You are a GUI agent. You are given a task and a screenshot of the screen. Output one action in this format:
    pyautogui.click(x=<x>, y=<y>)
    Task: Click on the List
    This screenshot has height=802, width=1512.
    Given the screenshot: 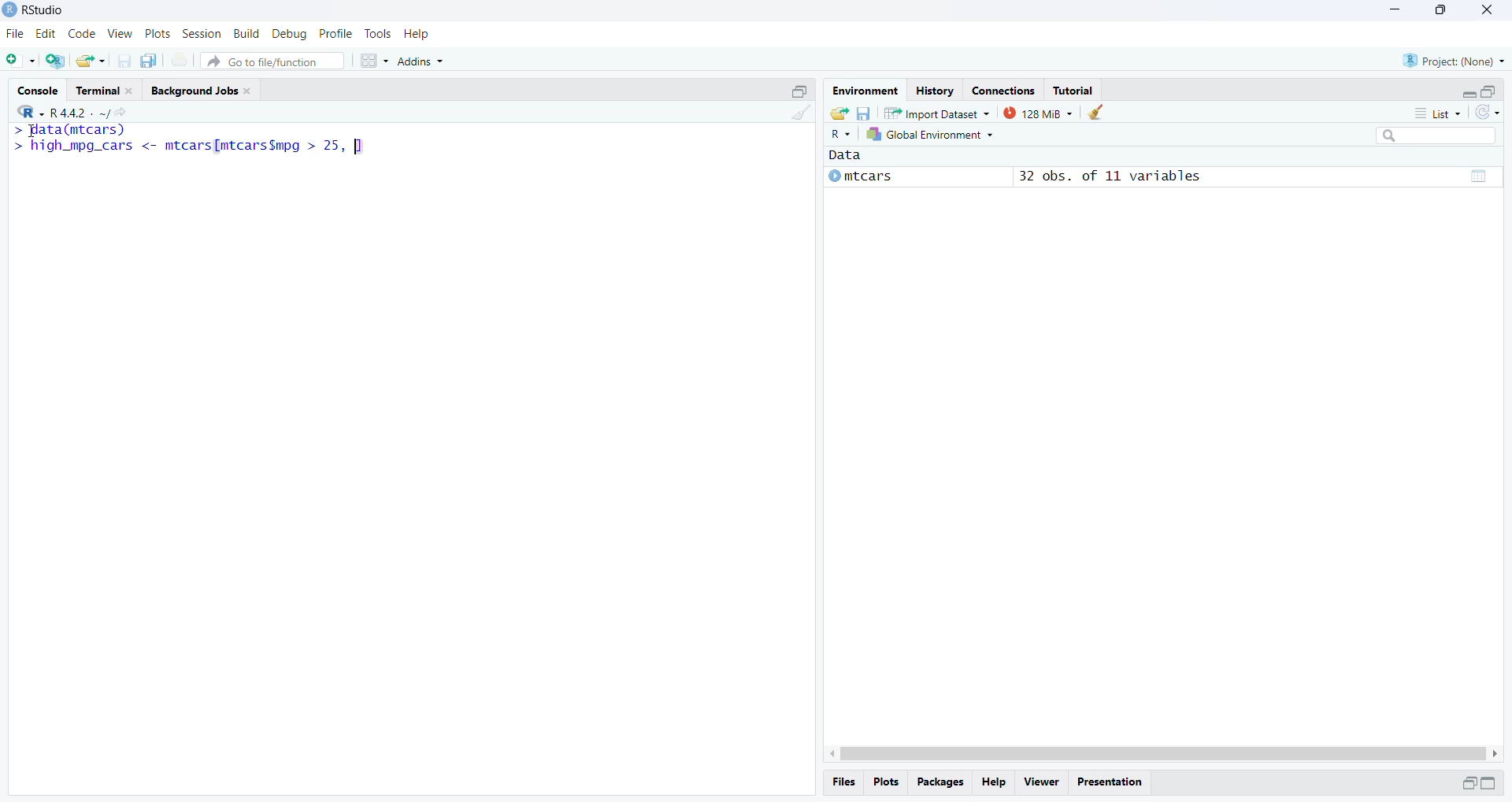 What is the action you would take?
    pyautogui.click(x=1437, y=112)
    